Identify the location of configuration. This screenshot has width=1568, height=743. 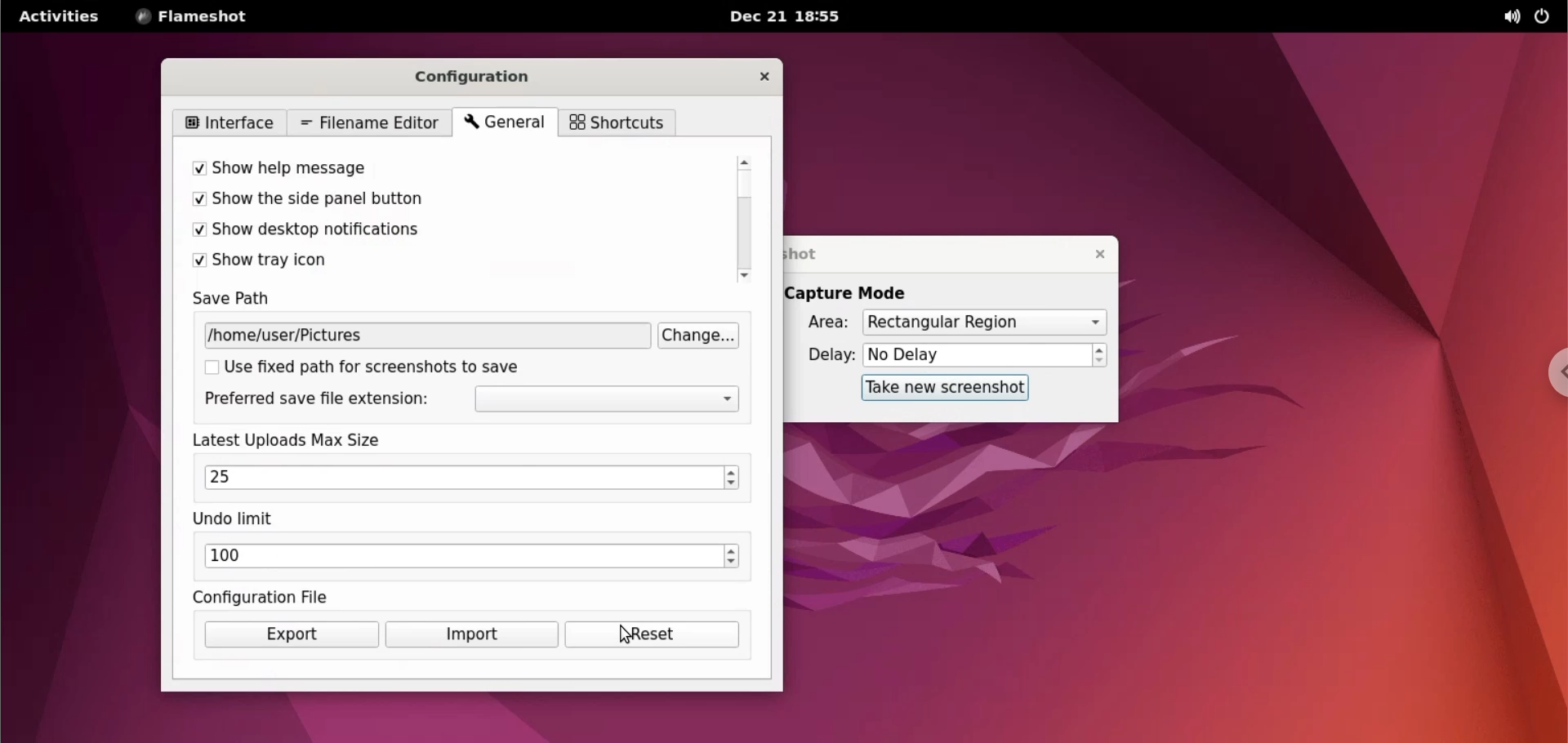
(481, 78).